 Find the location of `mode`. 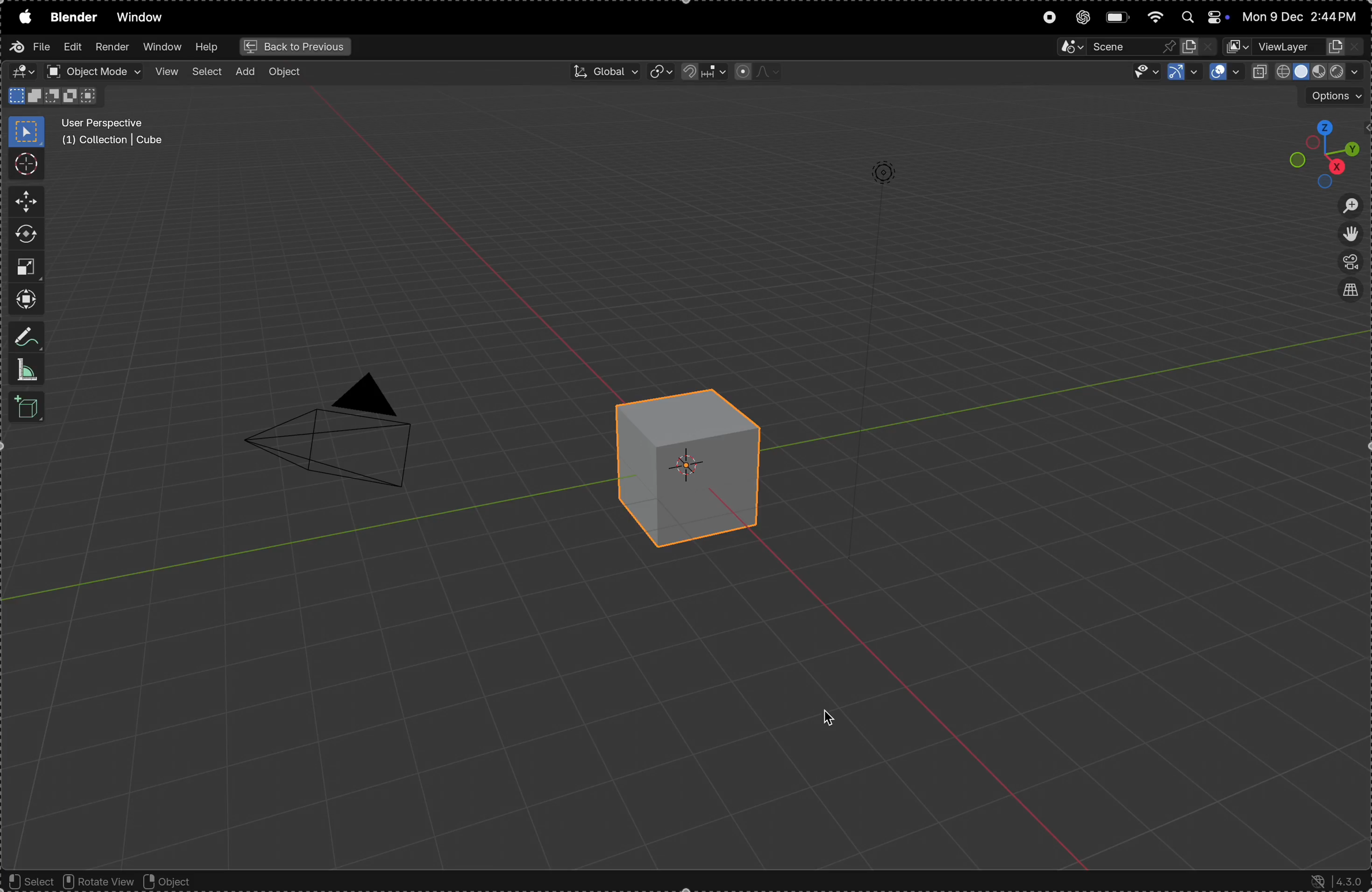

mode is located at coordinates (52, 96).